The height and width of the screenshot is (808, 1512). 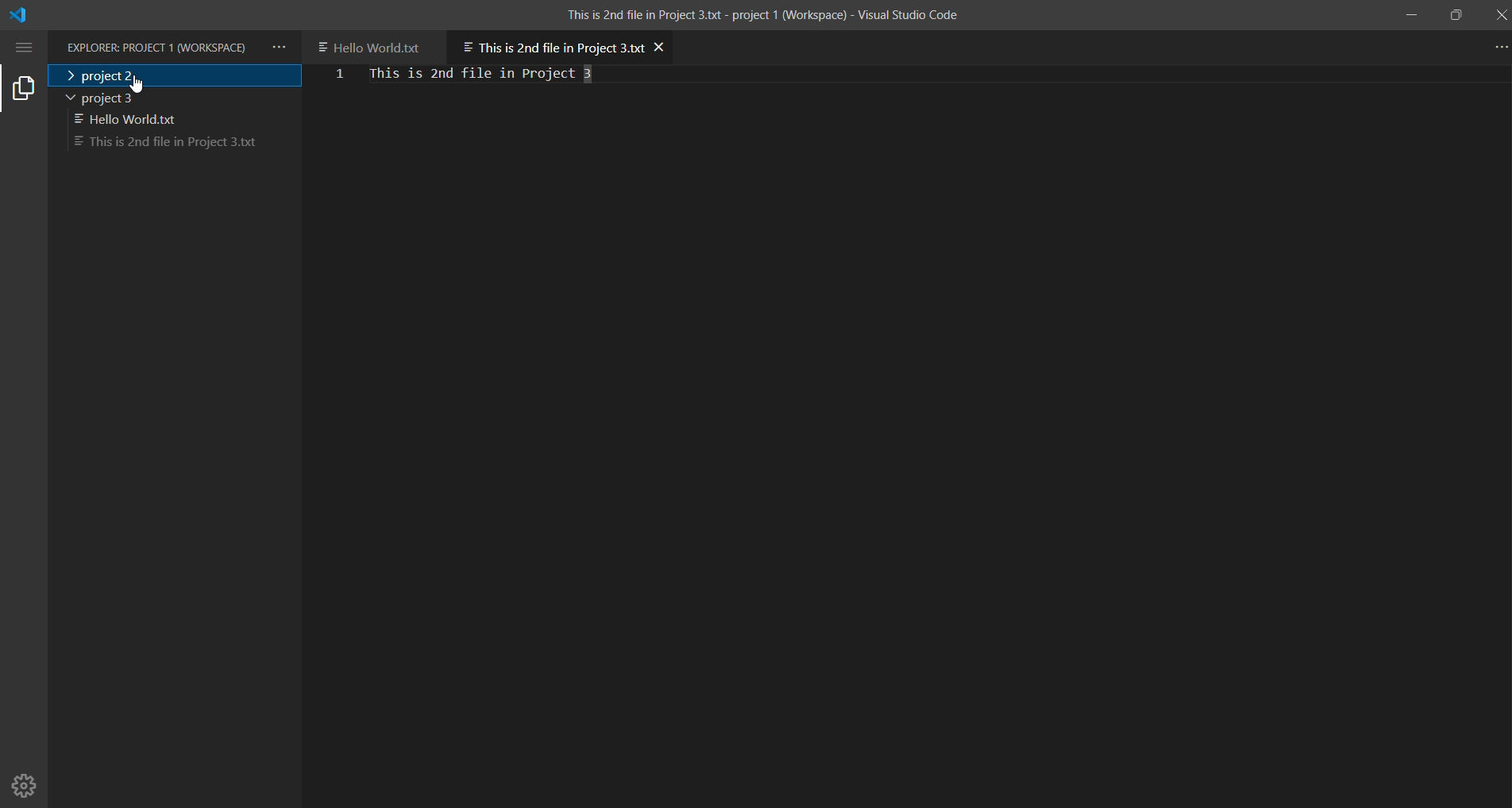 I want to click on file content, so click(x=511, y=74).